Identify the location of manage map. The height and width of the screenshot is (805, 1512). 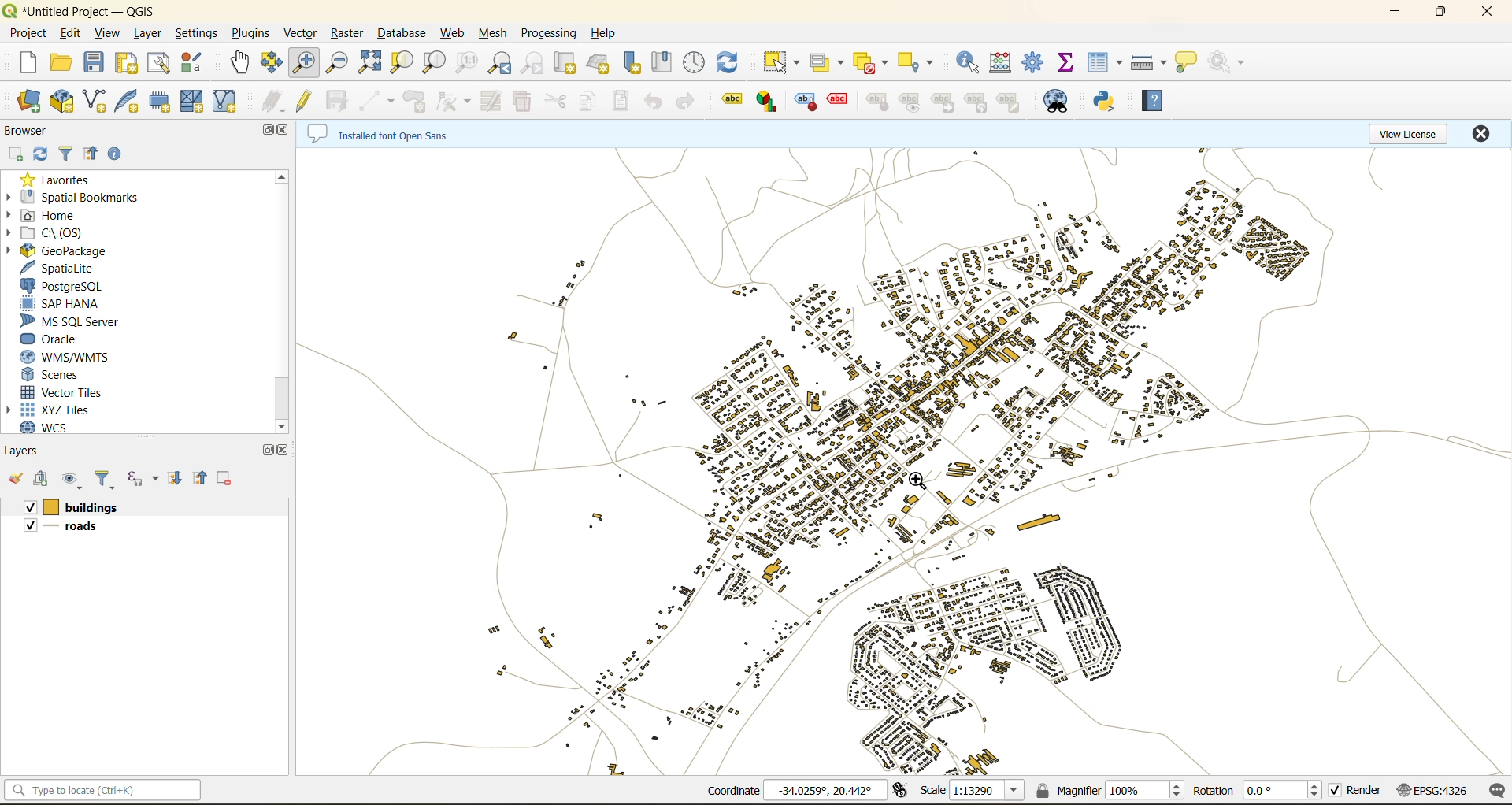
(75, 479).